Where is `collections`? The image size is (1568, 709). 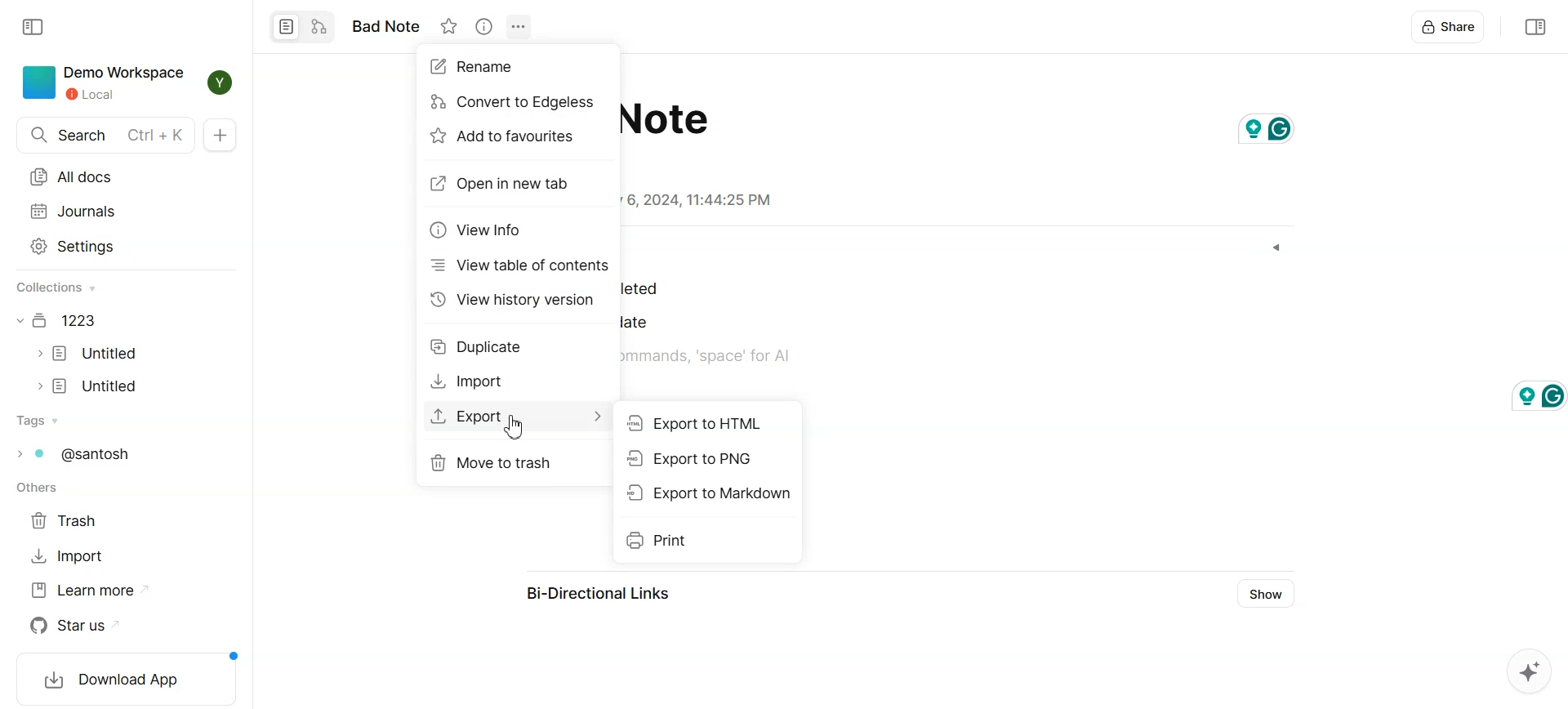 collections is located at coordinates (58, 288).